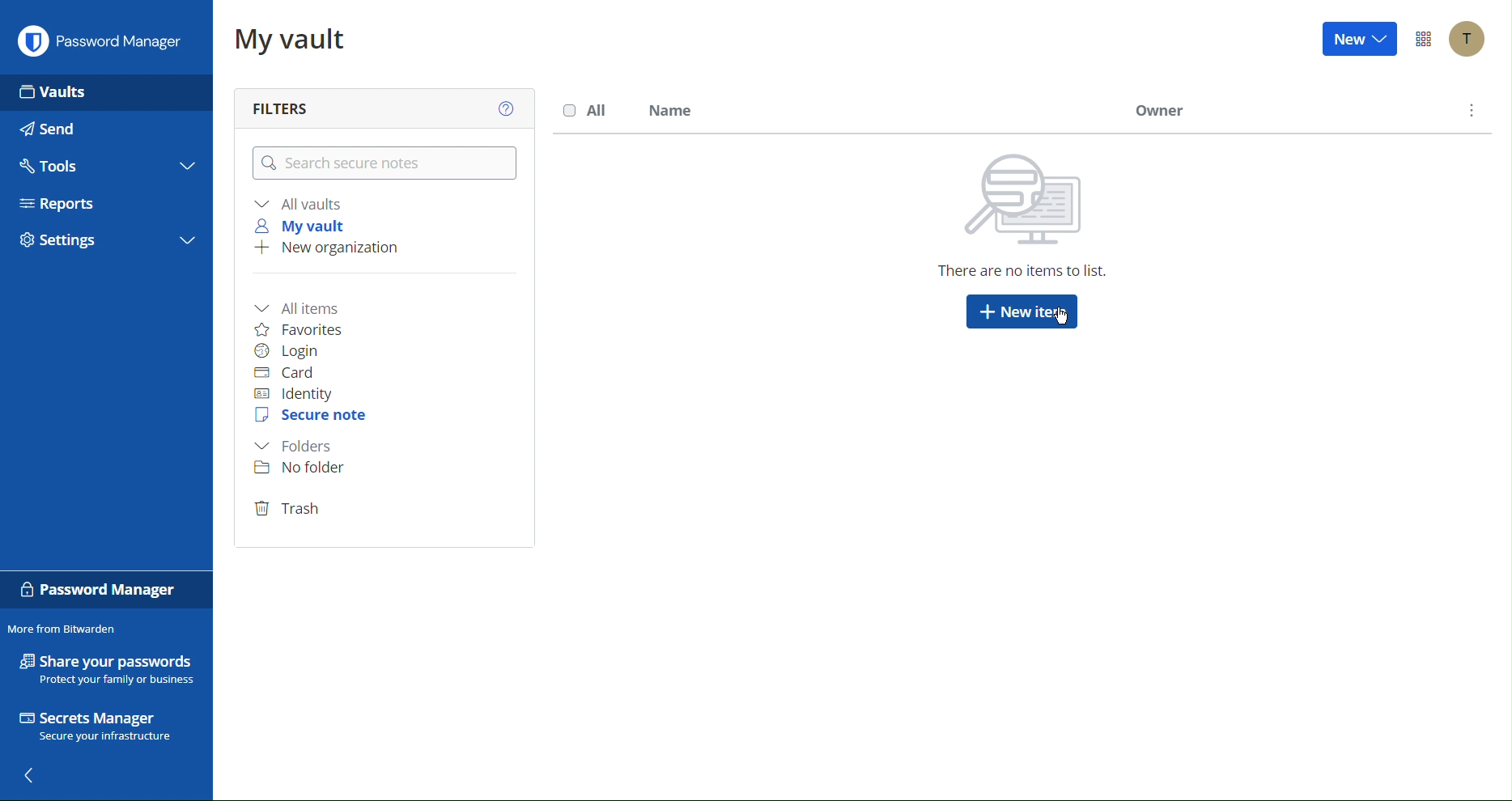  What do you see at coordinates (306, 418) in the screenshot?
I see `Secure Note` at bounding box center [306, 418].